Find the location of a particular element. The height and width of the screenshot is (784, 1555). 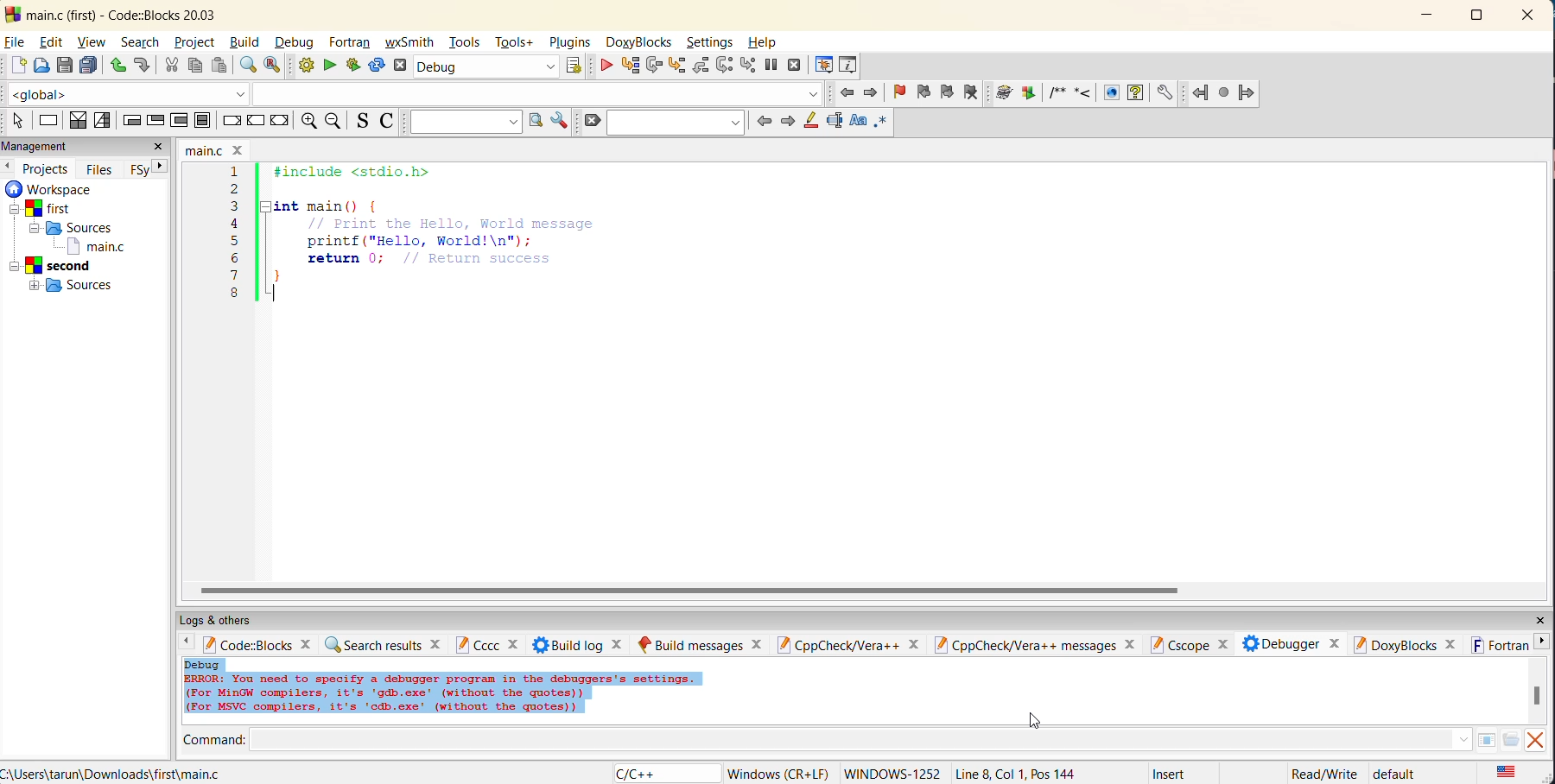

debugging windows is located at coordinates (822, 66).